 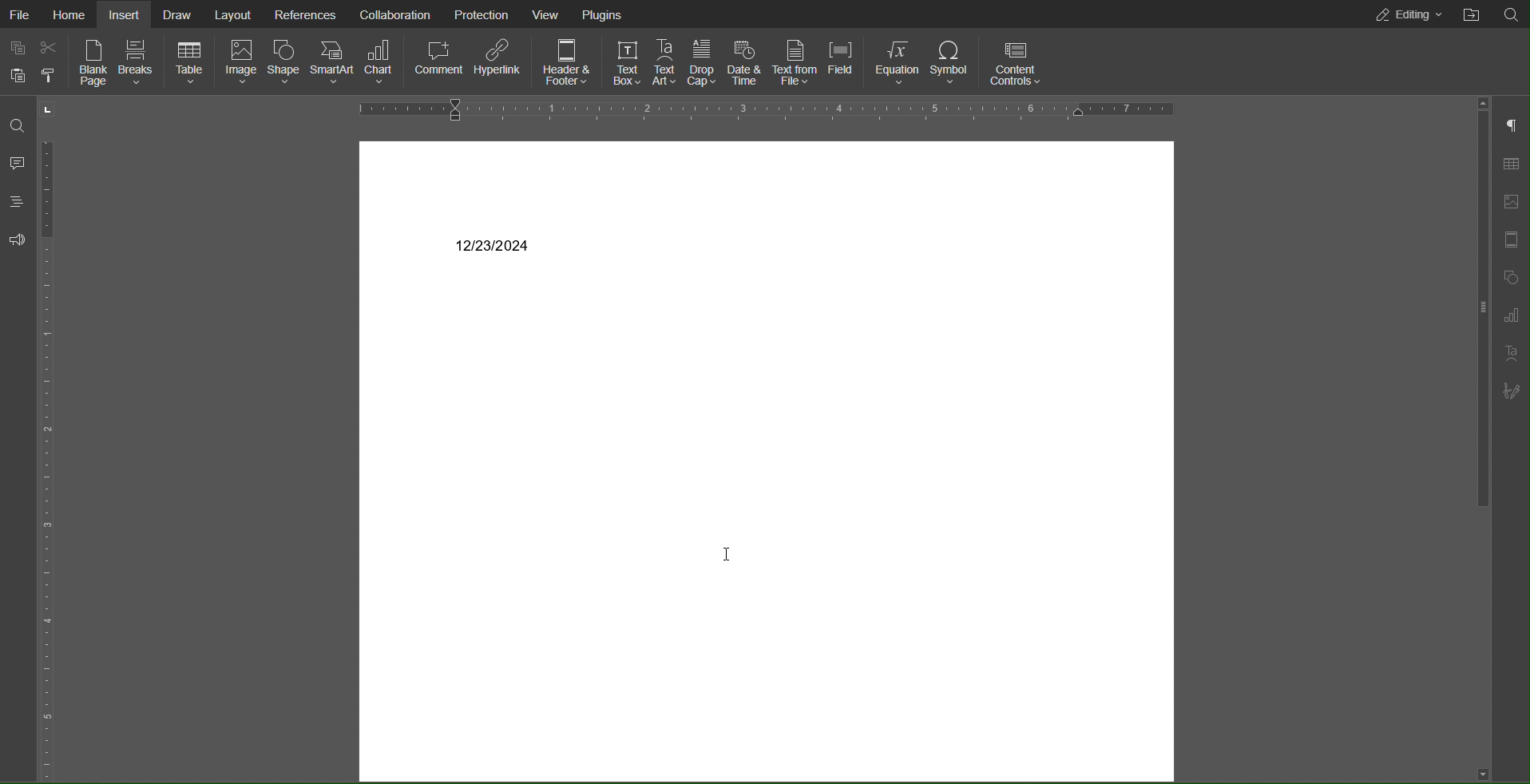 What do you see at coordinates (141, 63) in the screenshot?
I see `Breaks` at bounding box center [141, 63].